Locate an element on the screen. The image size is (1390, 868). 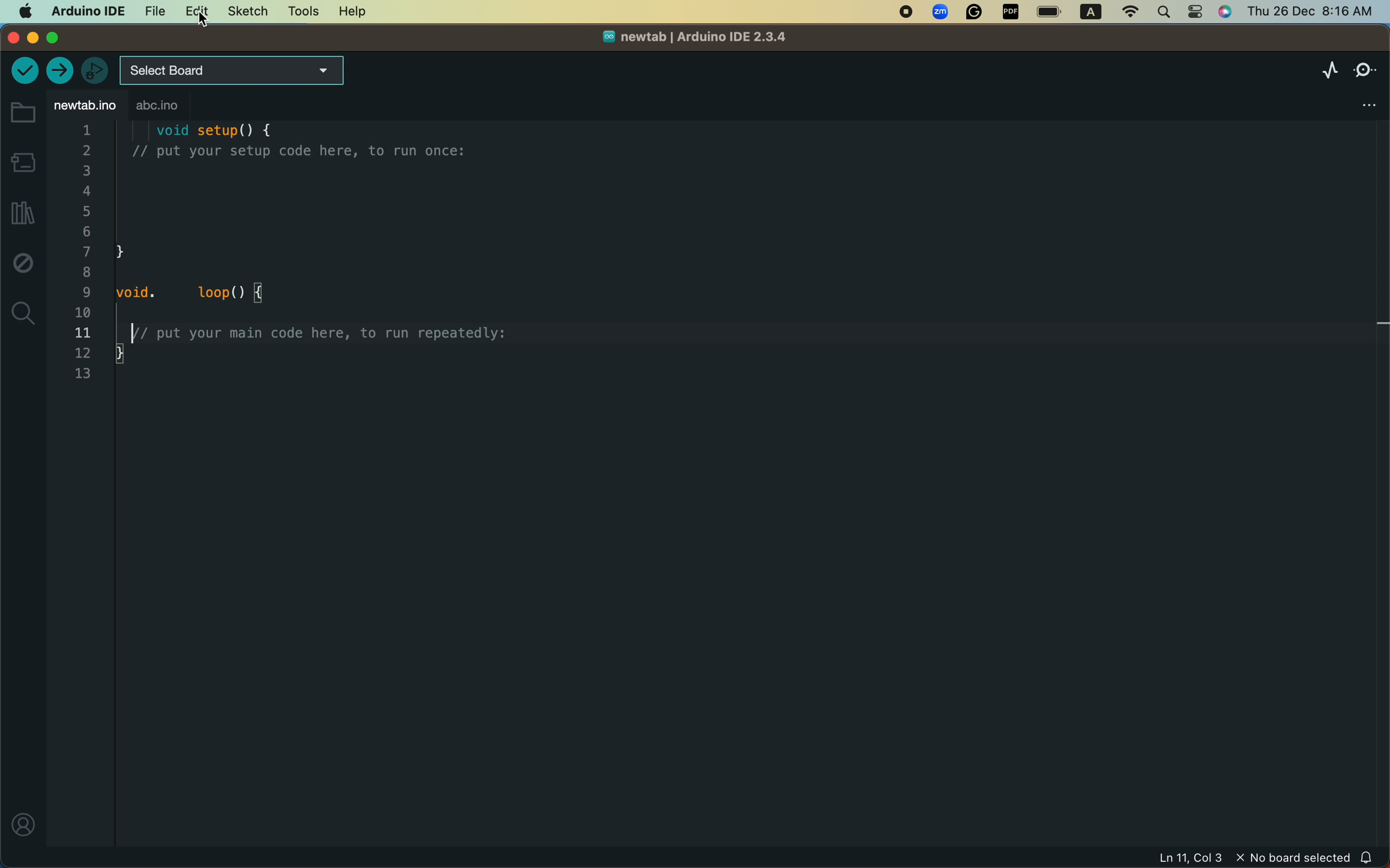
OS control is located at coordinates (1139, 168).